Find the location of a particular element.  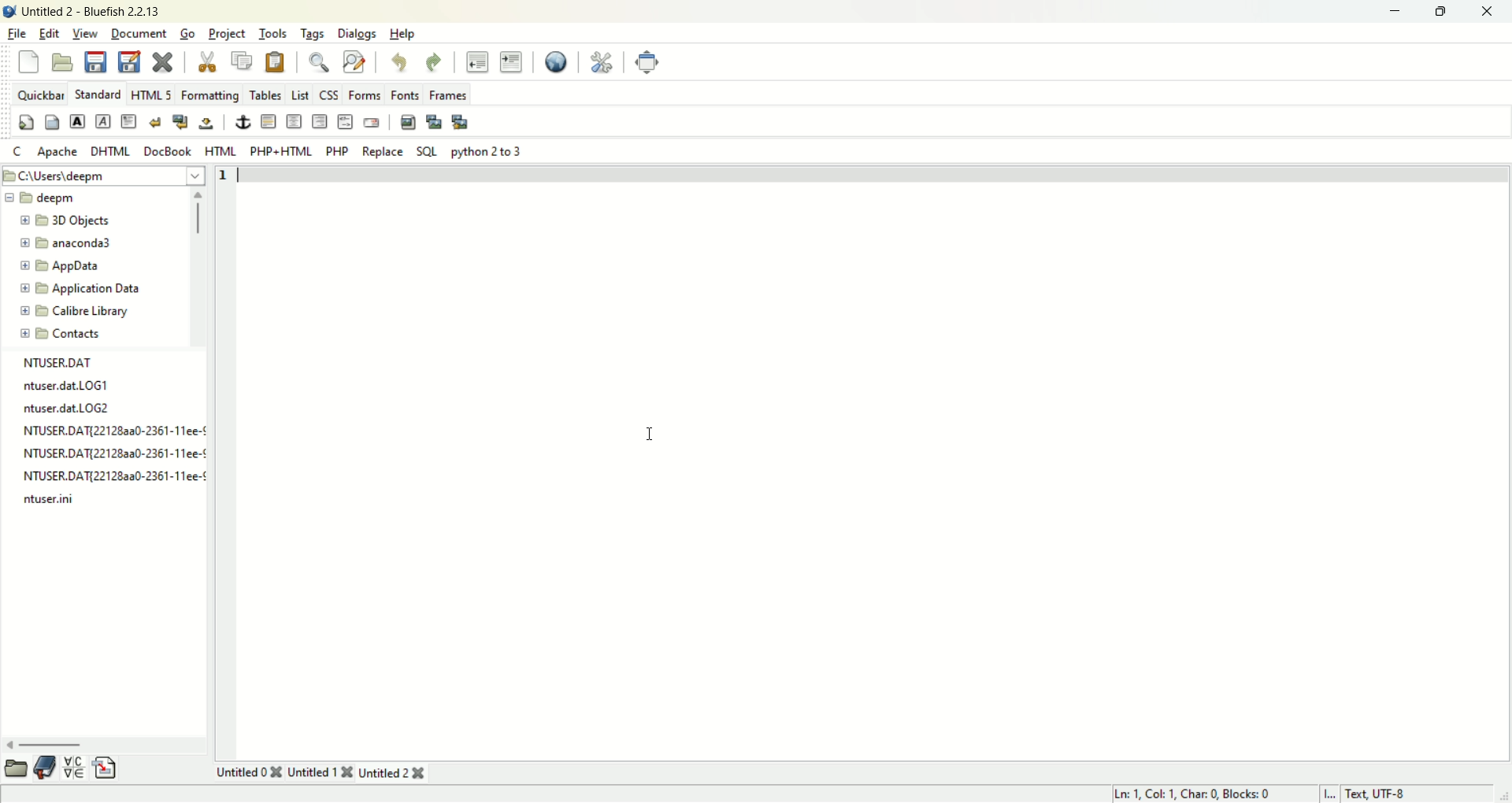

edit preferences is located at coordinates (602, 60).